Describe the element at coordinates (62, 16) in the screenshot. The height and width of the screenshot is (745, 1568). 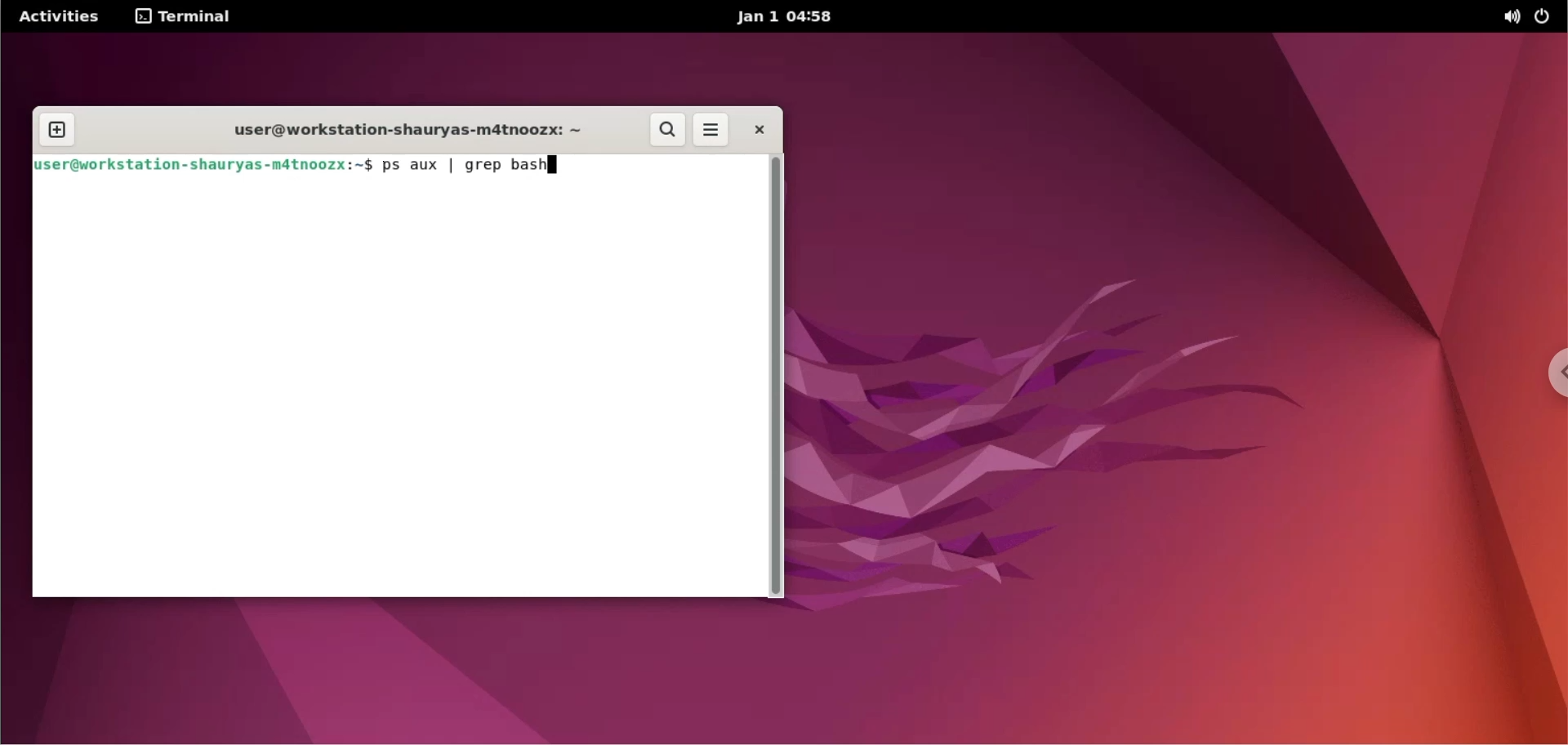
I see `Activities` at that location.